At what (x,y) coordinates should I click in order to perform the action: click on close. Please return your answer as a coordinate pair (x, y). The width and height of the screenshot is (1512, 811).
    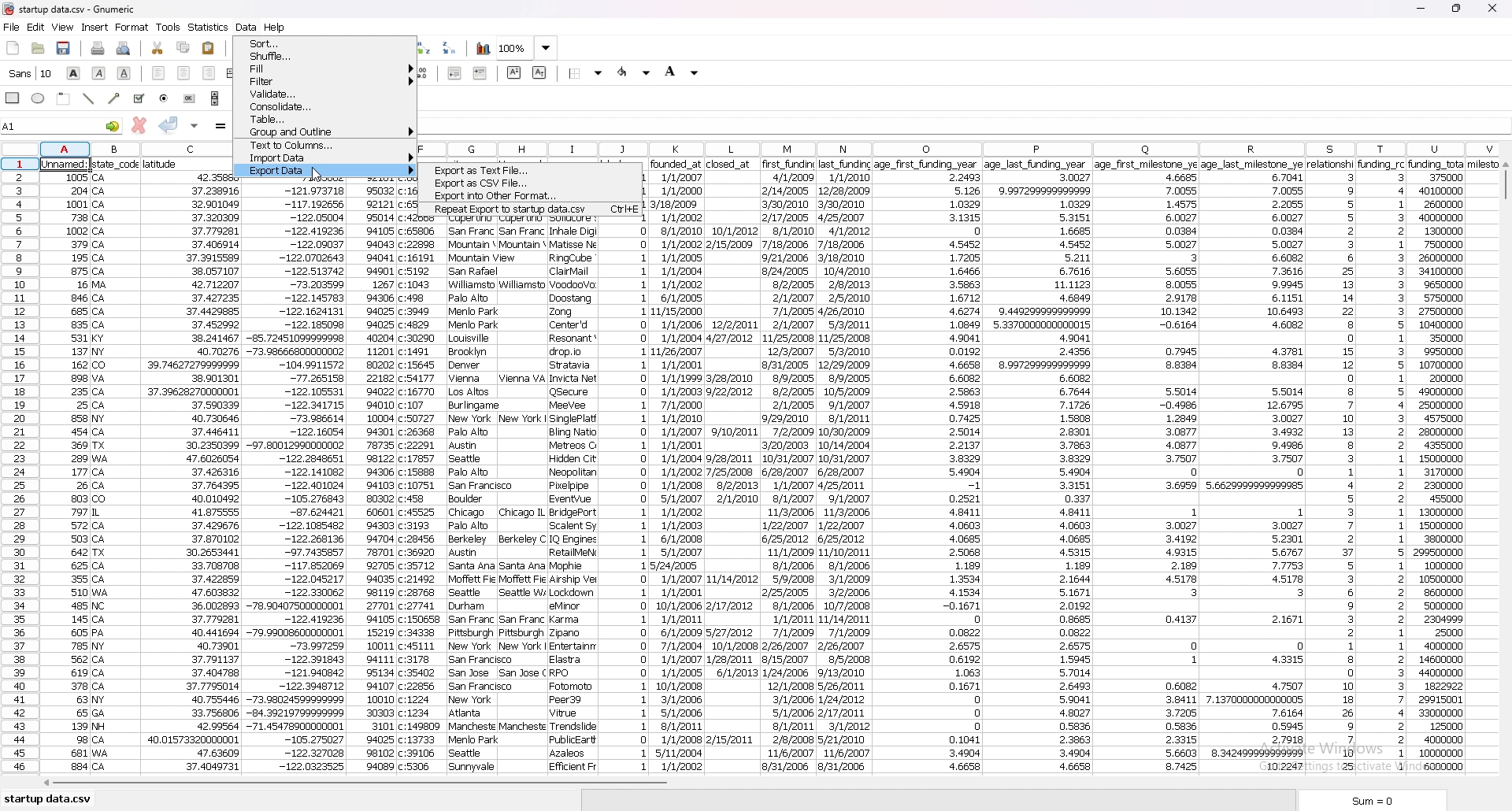
    Looking at the image, I should click on (1492, 9).